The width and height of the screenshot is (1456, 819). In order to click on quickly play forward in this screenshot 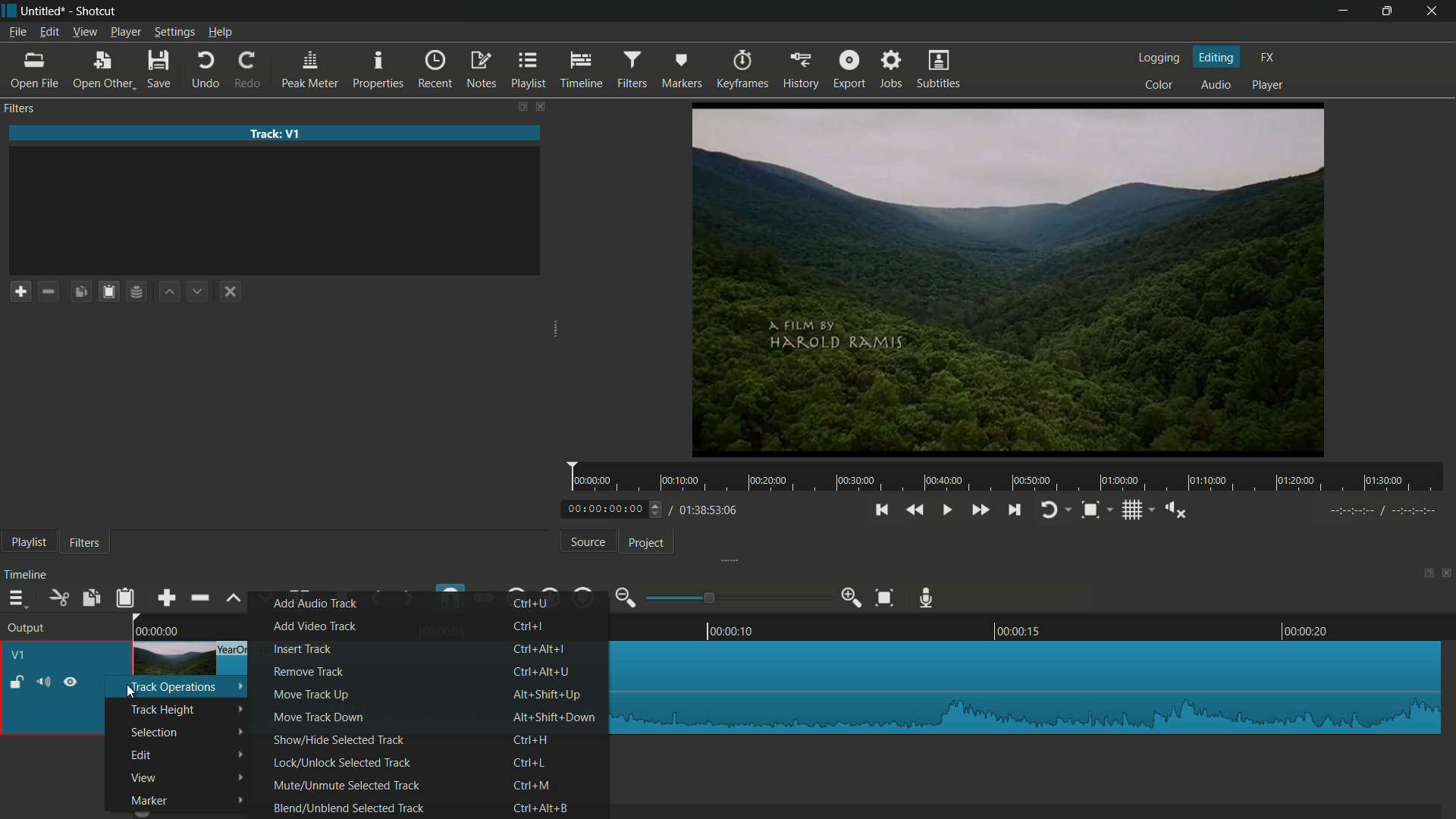, I will do `click(977, 509)`.